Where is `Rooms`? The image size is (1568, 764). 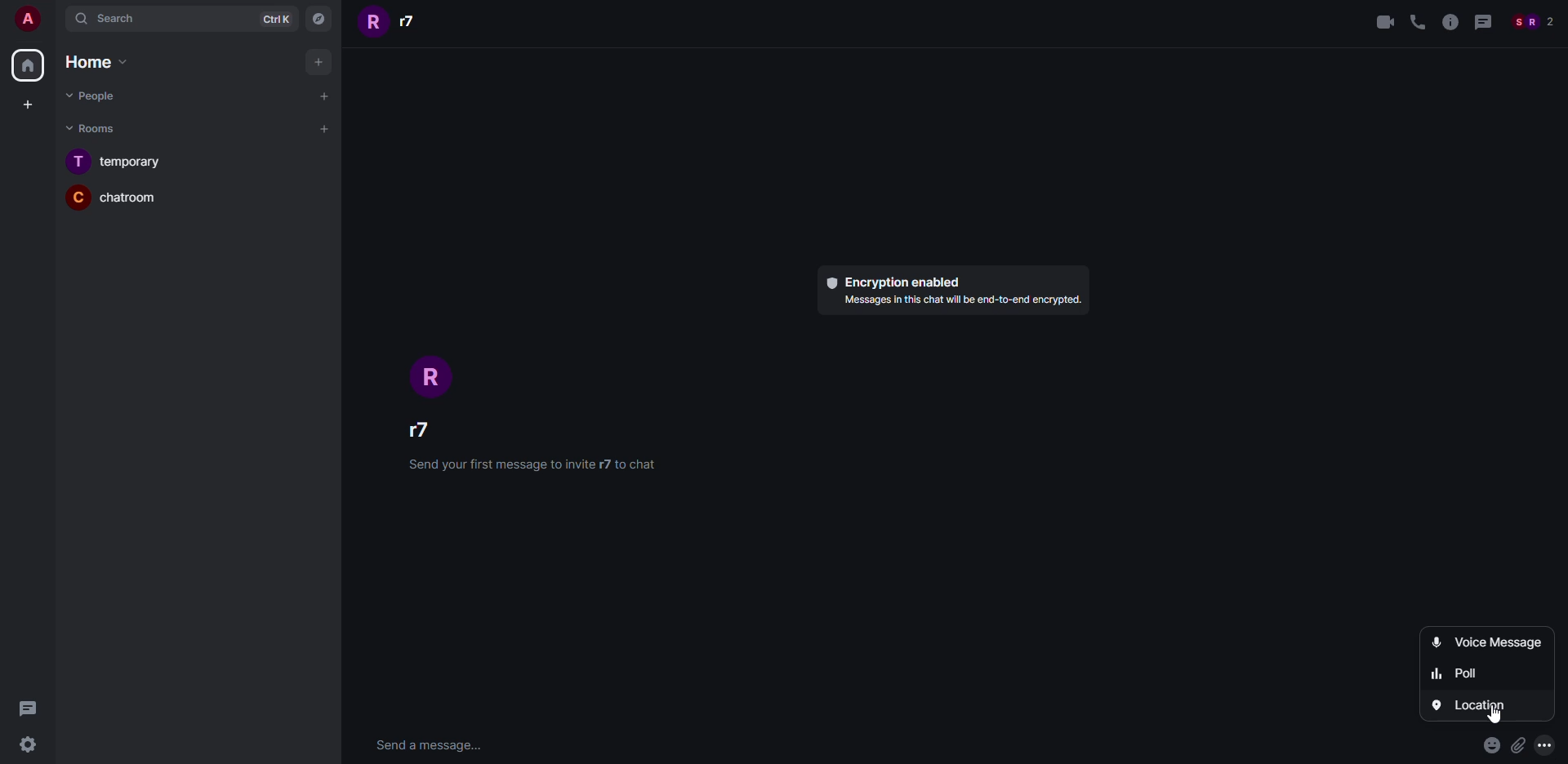
Rooms is located at coordinates (95, 129).